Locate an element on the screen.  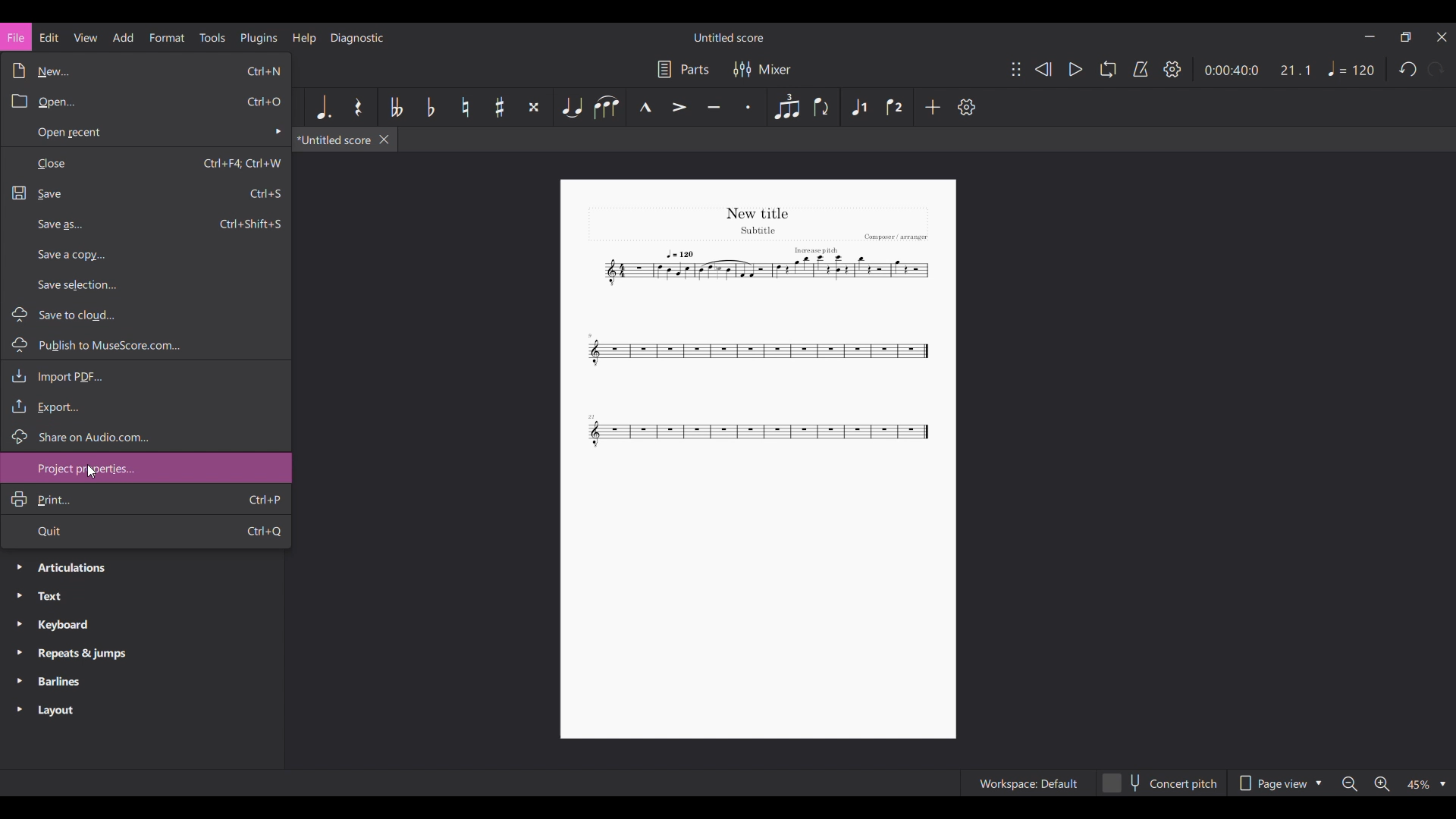
Parts settings is located at coordinates (684, 69).